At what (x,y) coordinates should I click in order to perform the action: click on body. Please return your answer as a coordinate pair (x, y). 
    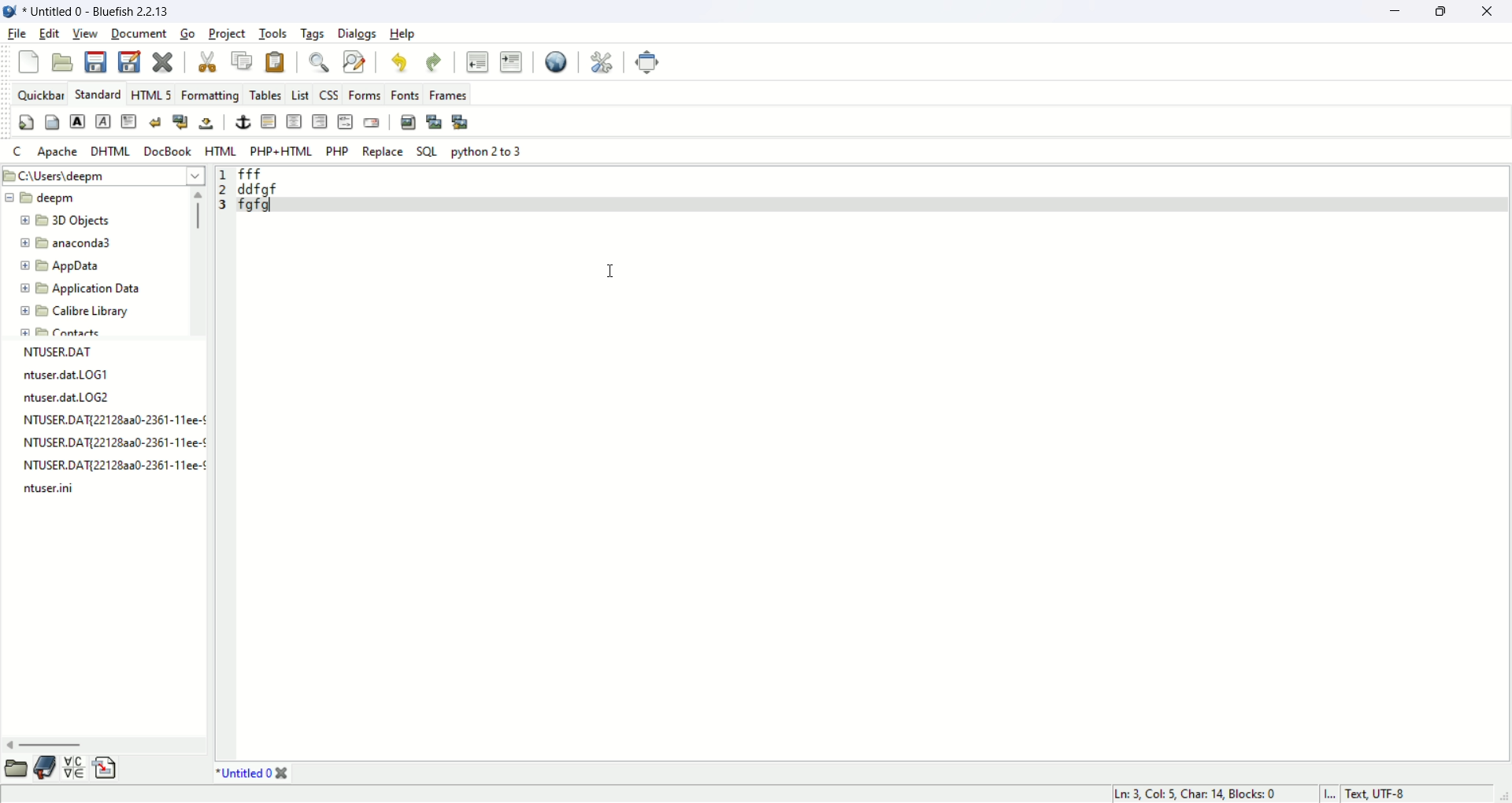
    Looking at the image, I should click on (51, 121).